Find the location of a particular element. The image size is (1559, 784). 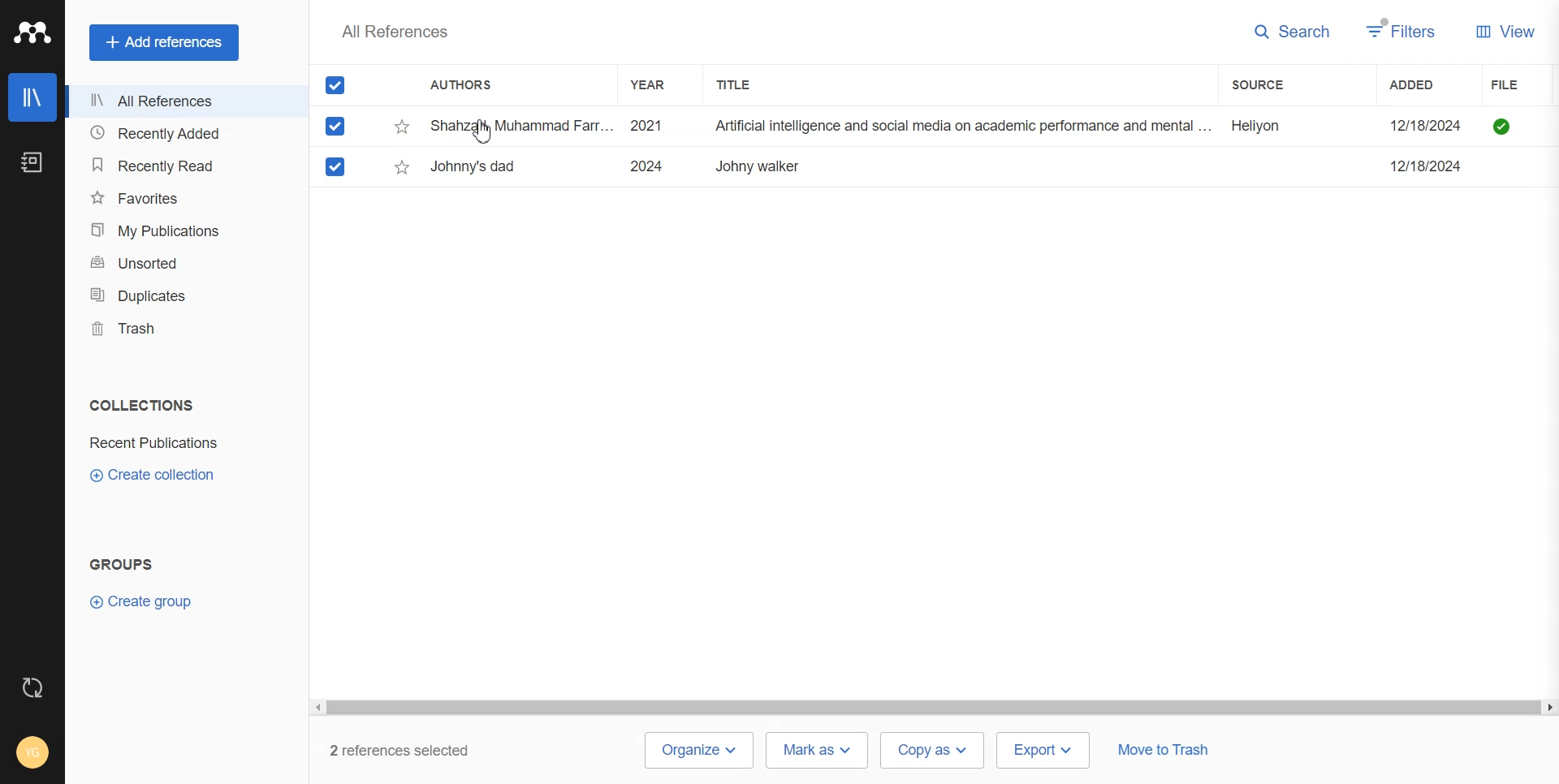

Add references is located at coordinates (164, 42).